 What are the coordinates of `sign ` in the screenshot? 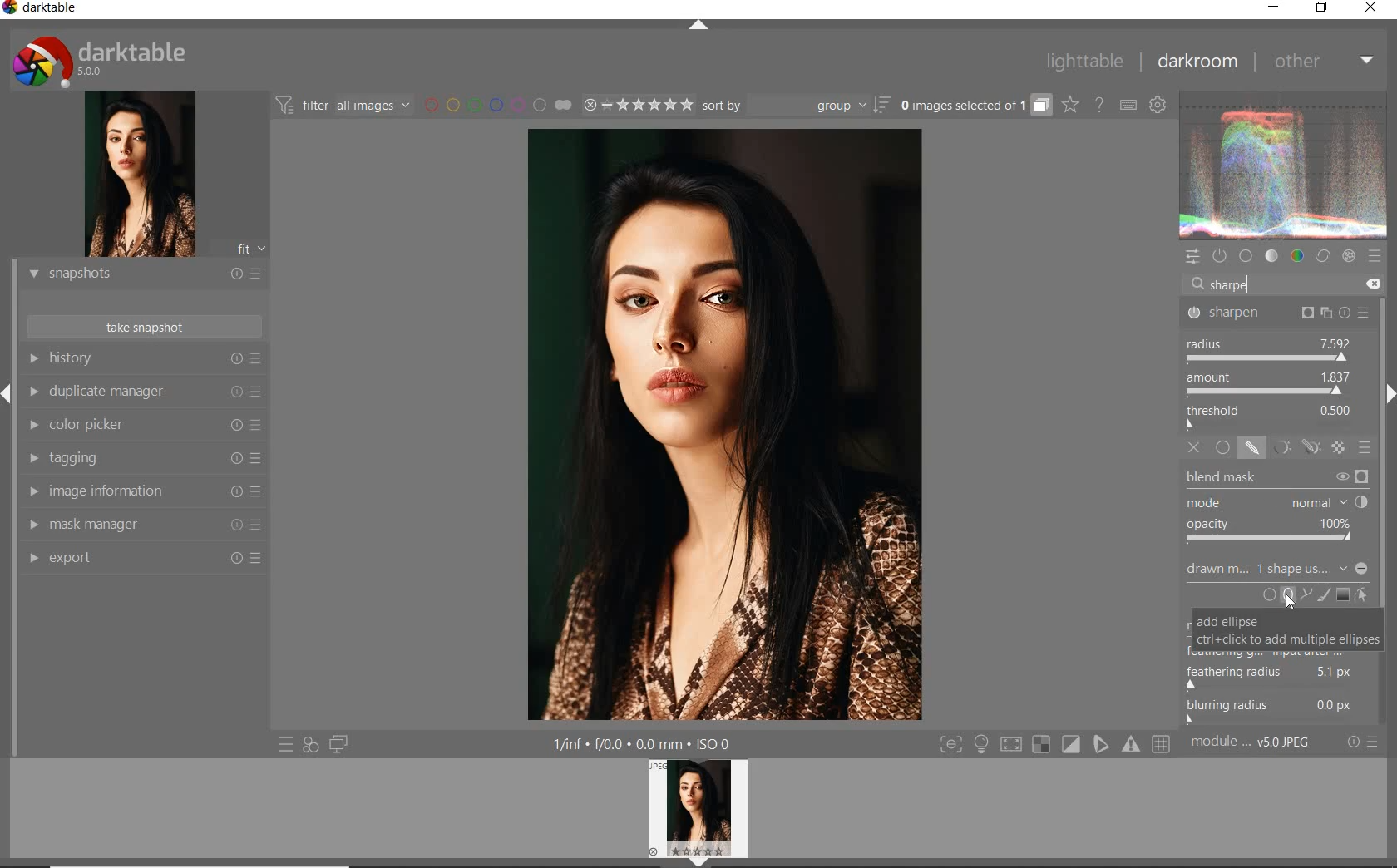 It's located at (1376, 257).